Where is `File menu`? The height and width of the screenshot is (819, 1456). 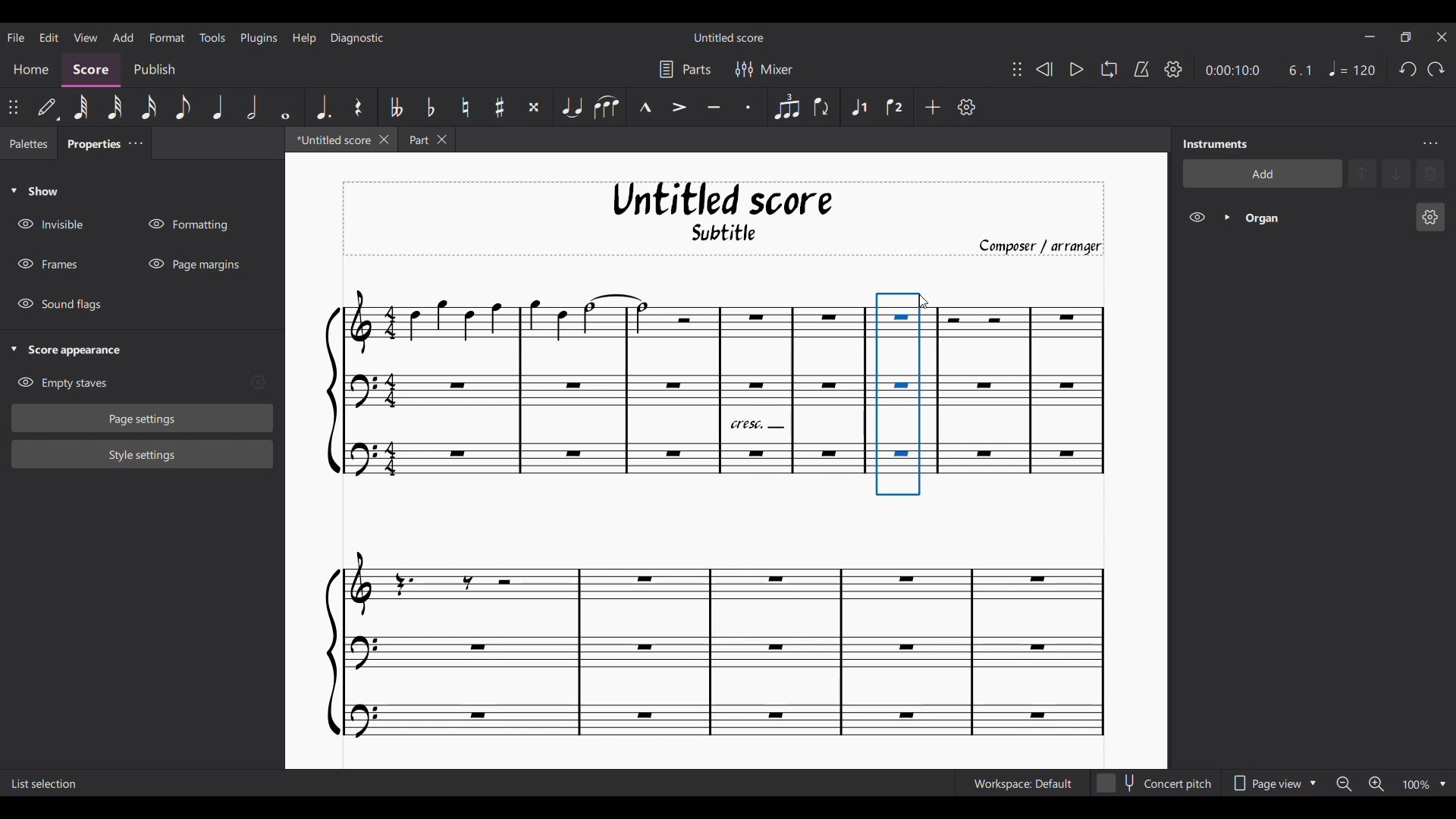 File menu is located at coordinates (16, 36).